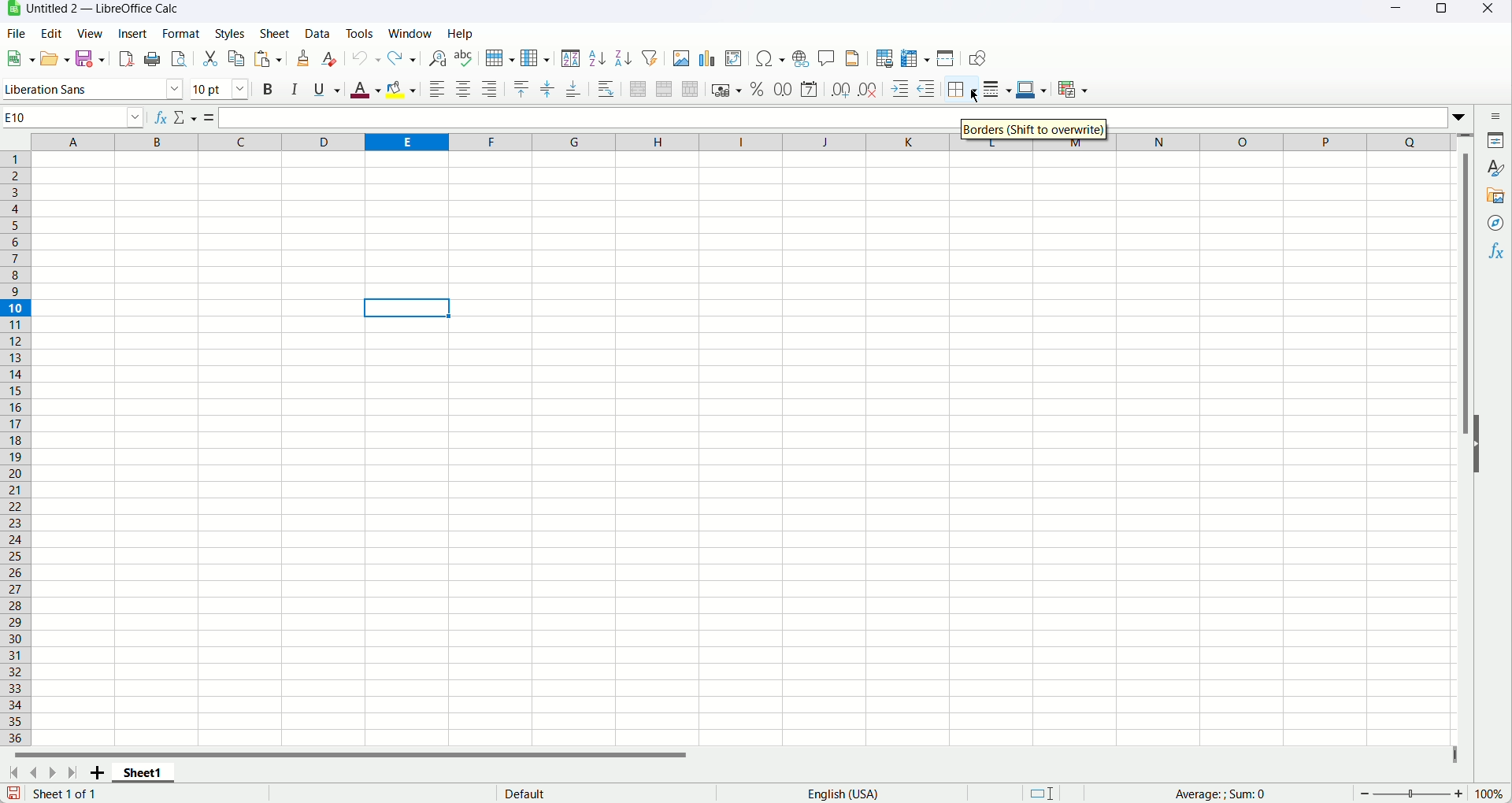 The image size is (1512, 803). I want to click on Scroll to next sheet, so click(54, 773).